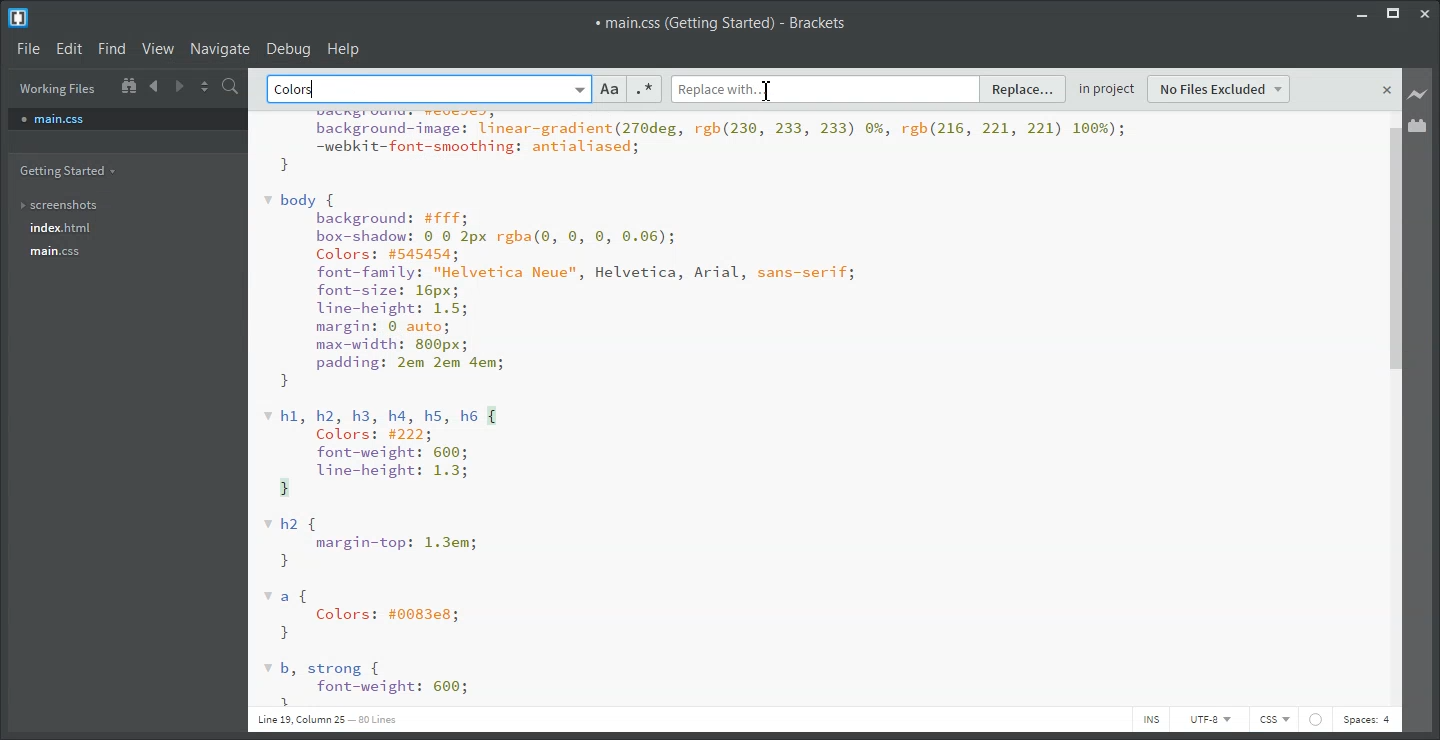 Image resolution: width=1440 pixels, height=740 pixels. Describe the element at coordinates (1024, 90) in the screenshot. I see `Replace` at that location.